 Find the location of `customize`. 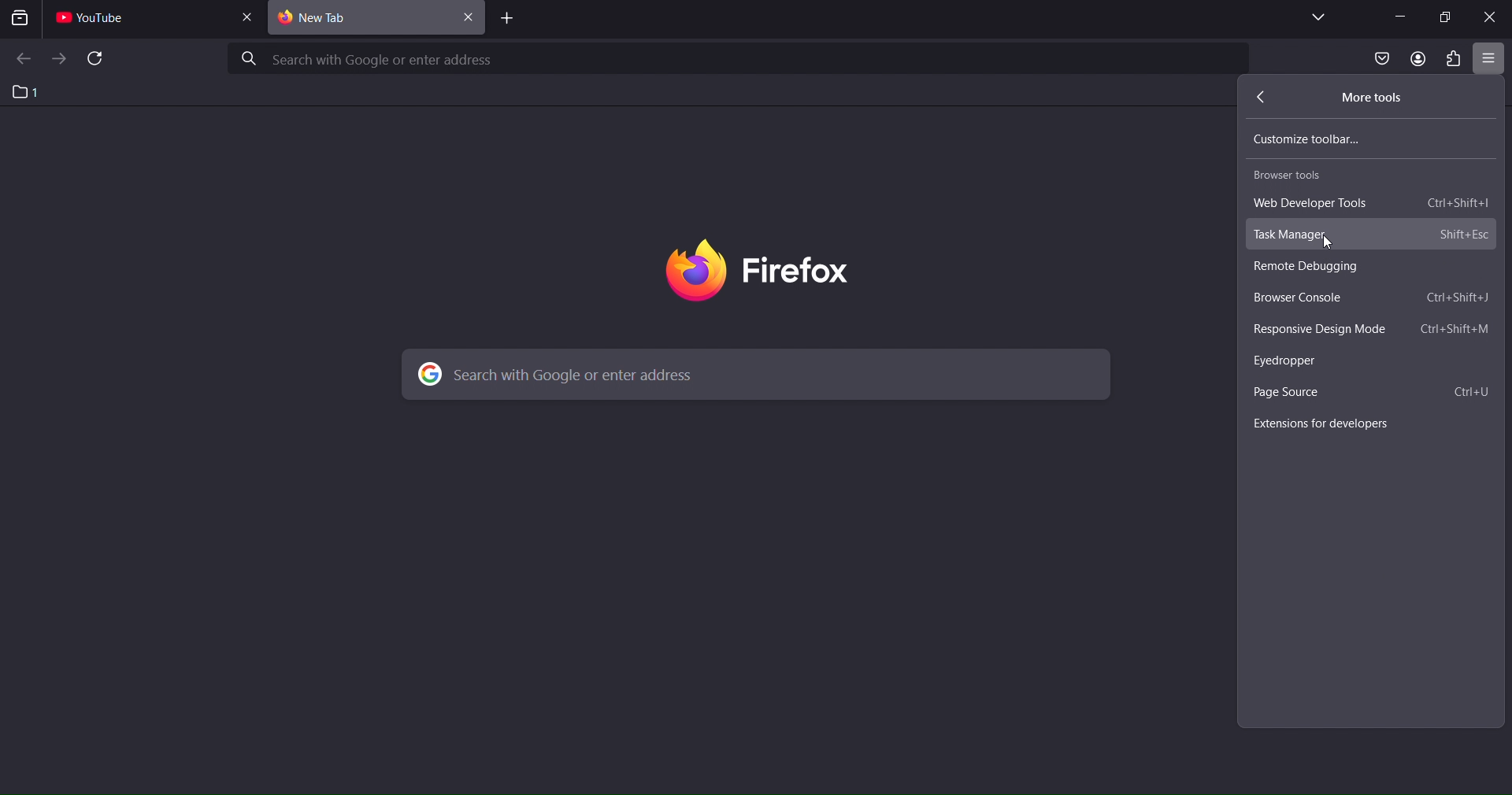

customize is located at coordinates (1322, 136).